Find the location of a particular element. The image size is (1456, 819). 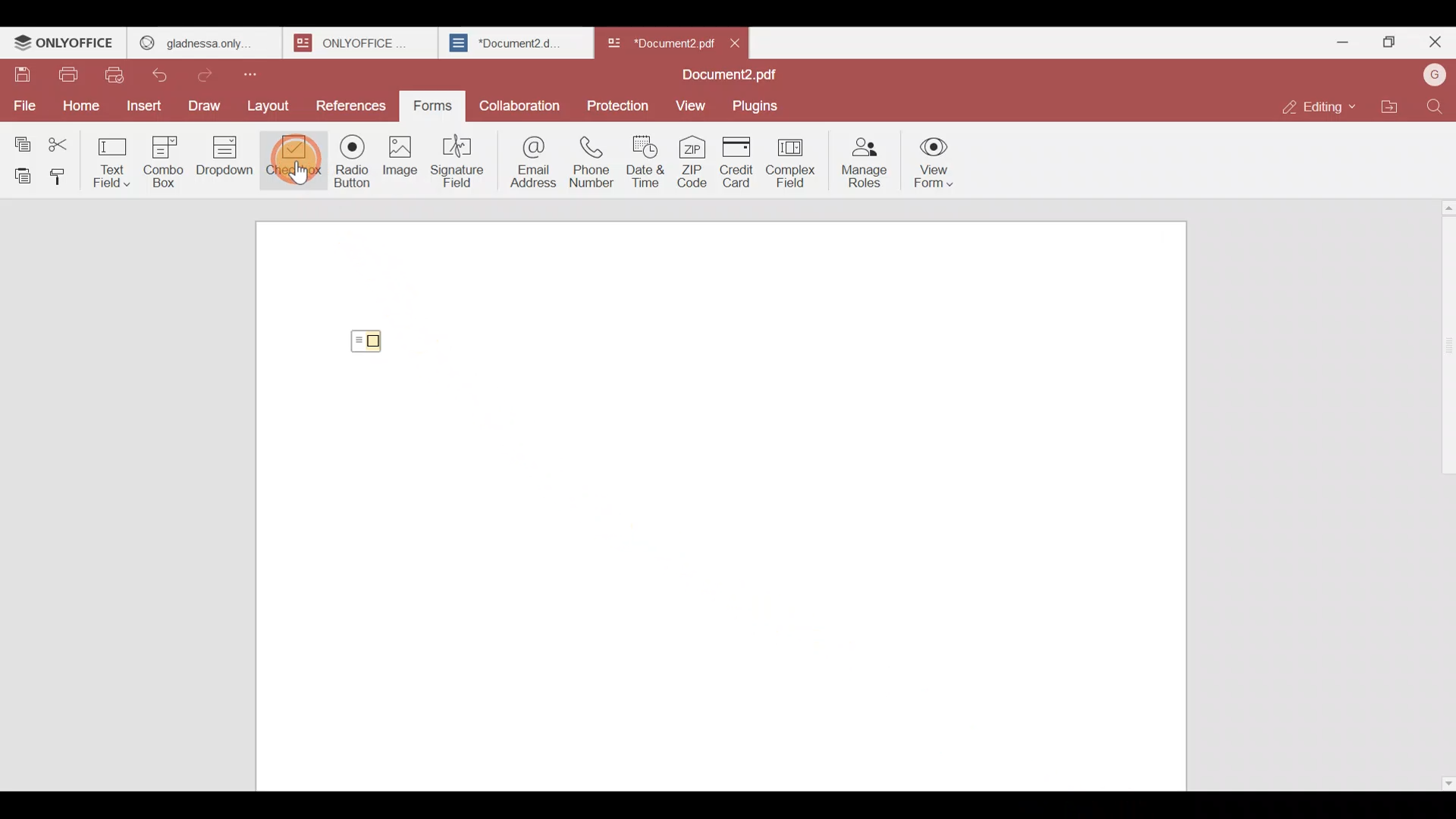

Open file location is located at coordinates (1389, 105).